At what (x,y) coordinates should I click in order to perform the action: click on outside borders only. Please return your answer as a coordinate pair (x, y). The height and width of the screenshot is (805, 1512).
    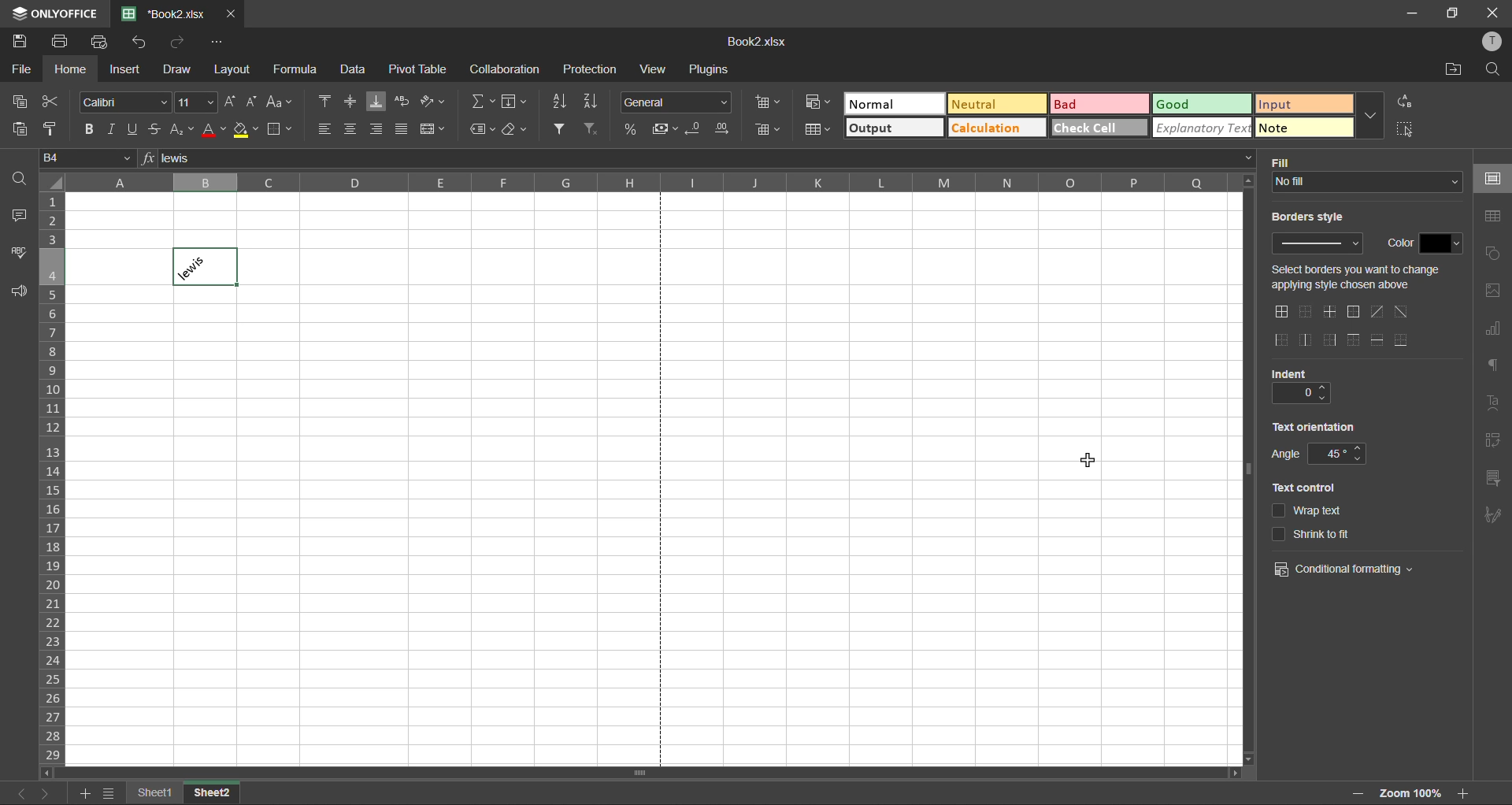
    Looking at the image, I should click on (1351, 312).